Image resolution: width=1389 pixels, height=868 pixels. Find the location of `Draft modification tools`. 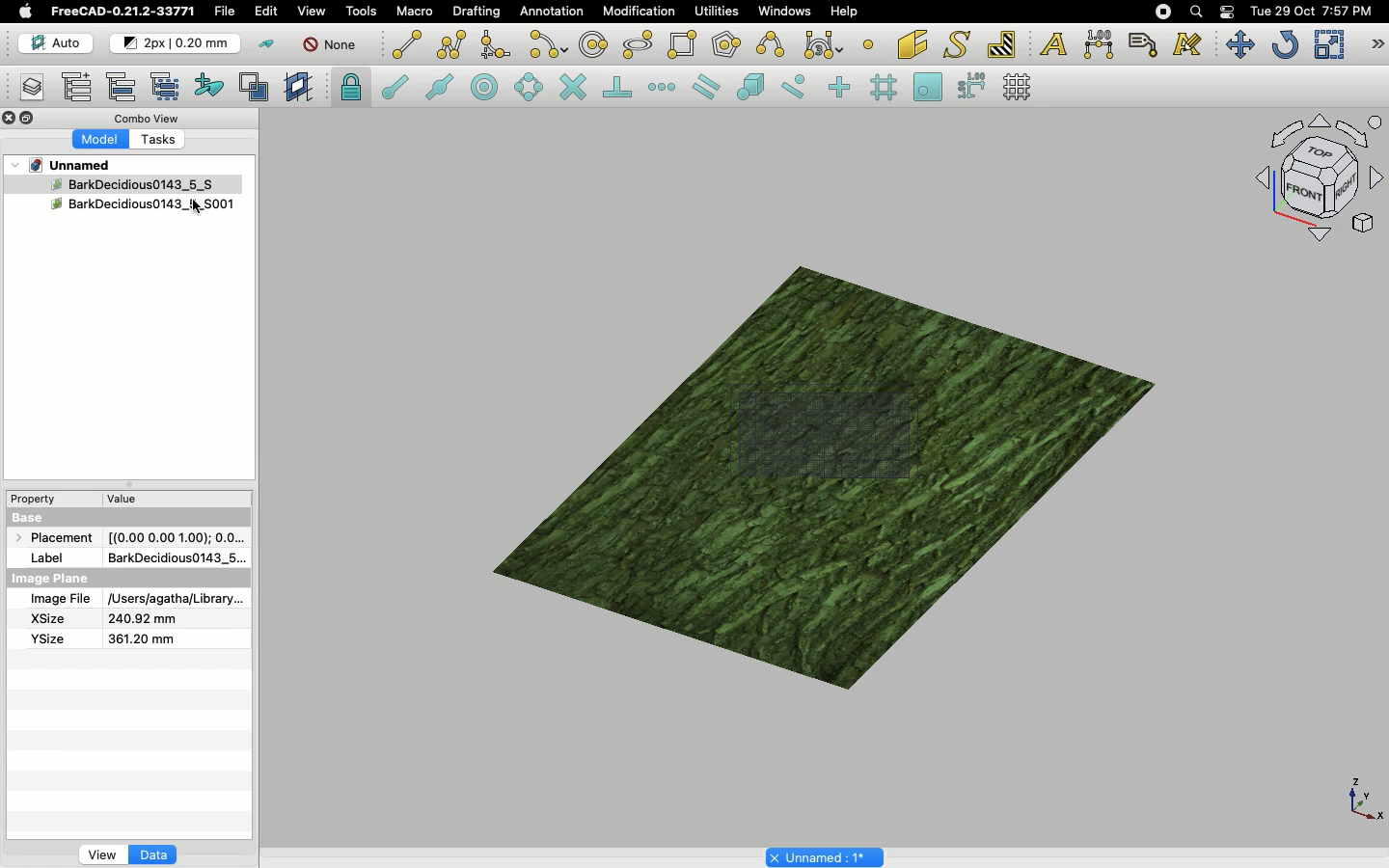

Draft modification tools is located at coordinates (1376, 46).